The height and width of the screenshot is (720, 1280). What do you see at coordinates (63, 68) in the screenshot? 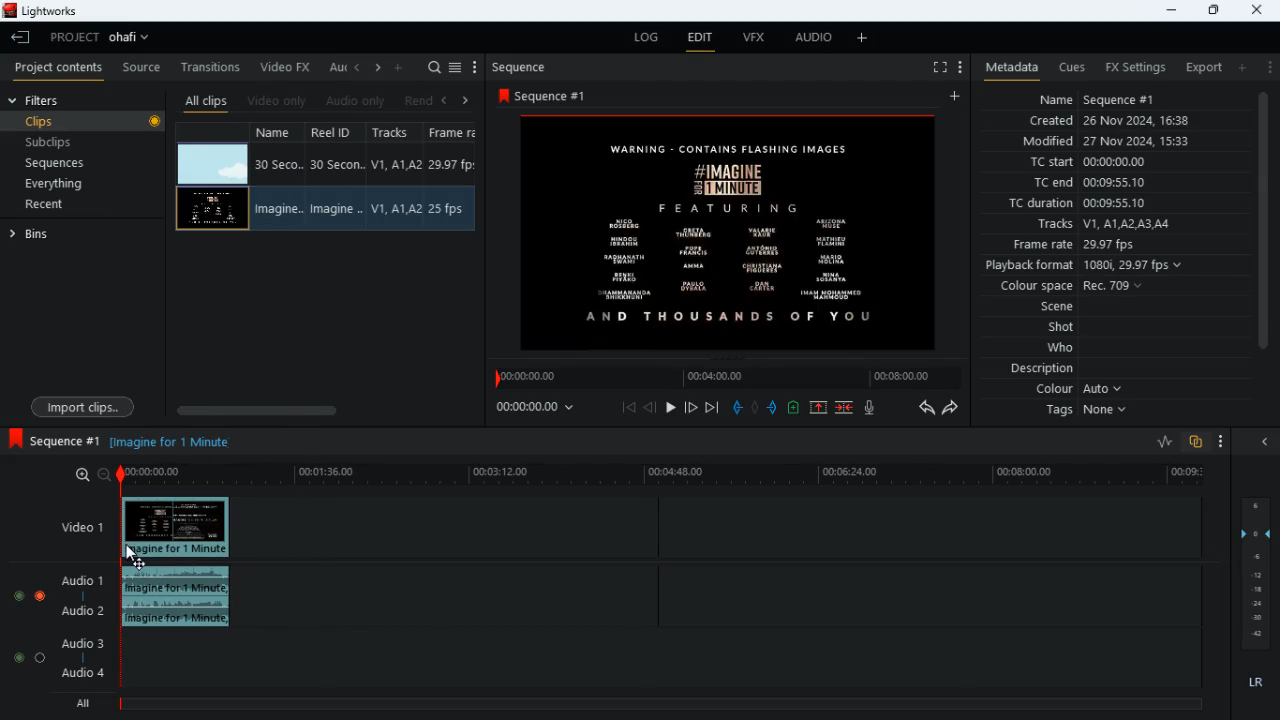
I see `project contents` at bounding box center [63, 68].